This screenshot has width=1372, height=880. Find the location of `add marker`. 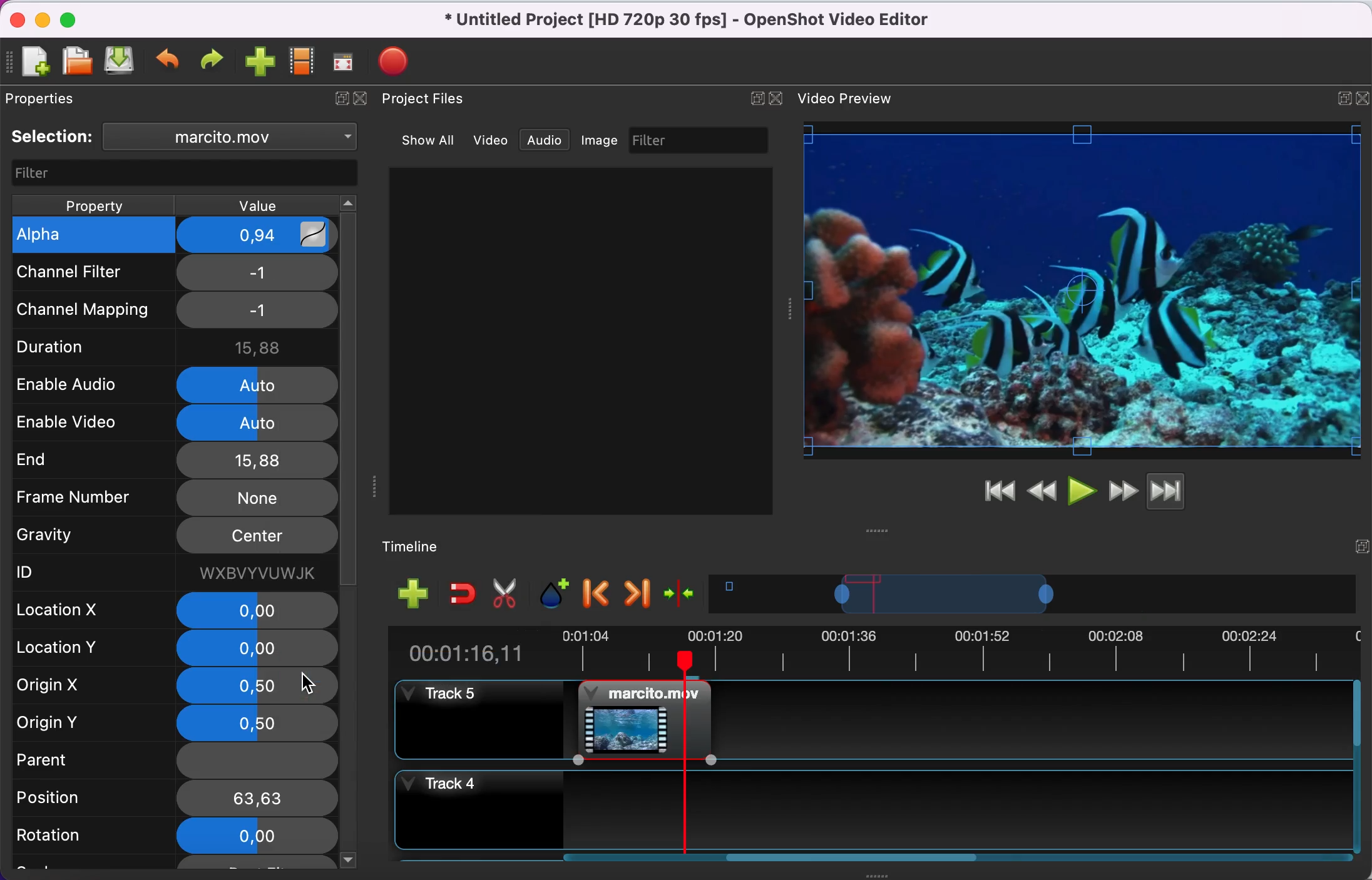

add marker is located at coordinates (555, 593).